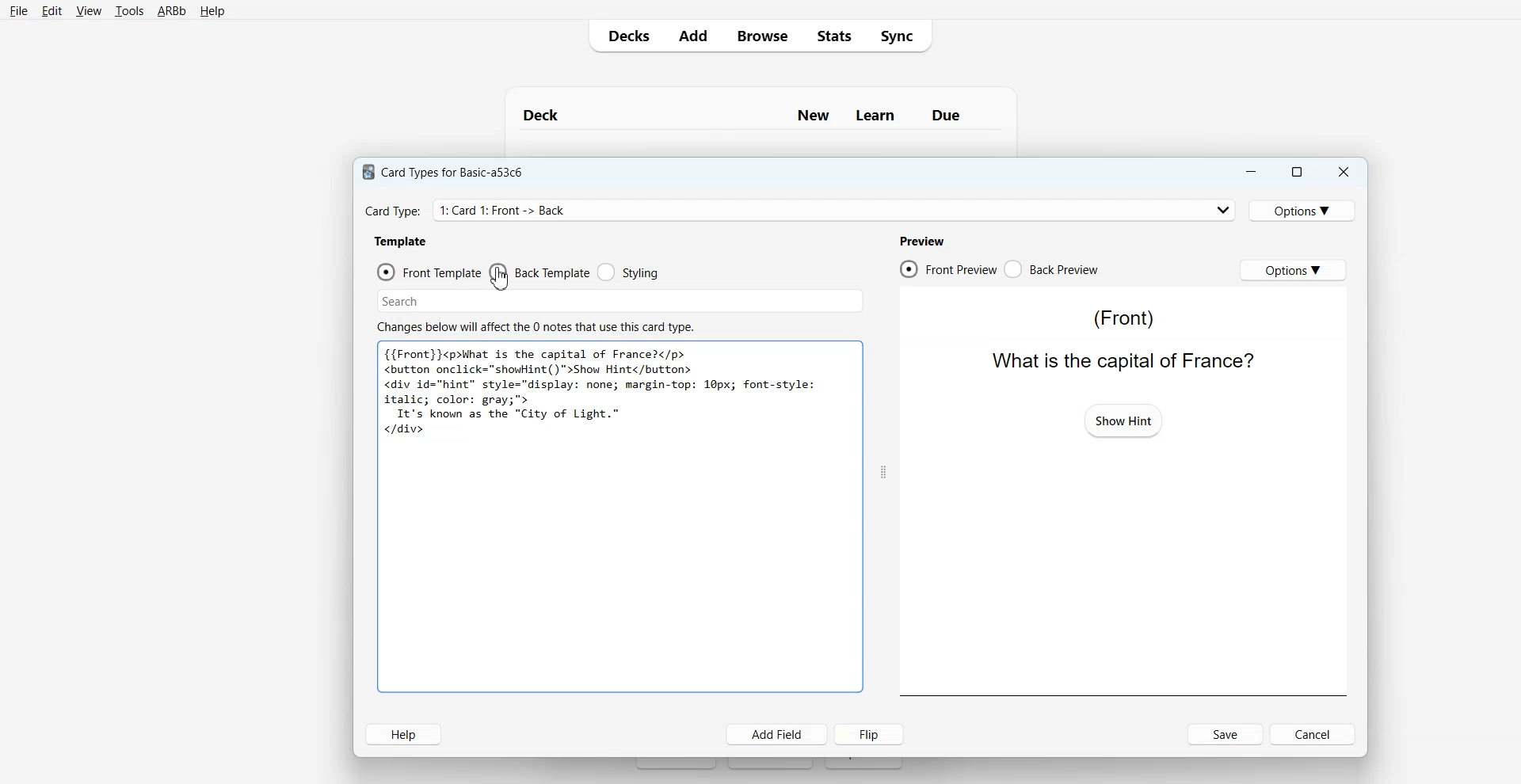 The width and height of the screenshot is (1521, 784). What do you see at coordinates (1295, 172) in the screenshot?
I see `Maximize` at bounding box center [1295, 172].